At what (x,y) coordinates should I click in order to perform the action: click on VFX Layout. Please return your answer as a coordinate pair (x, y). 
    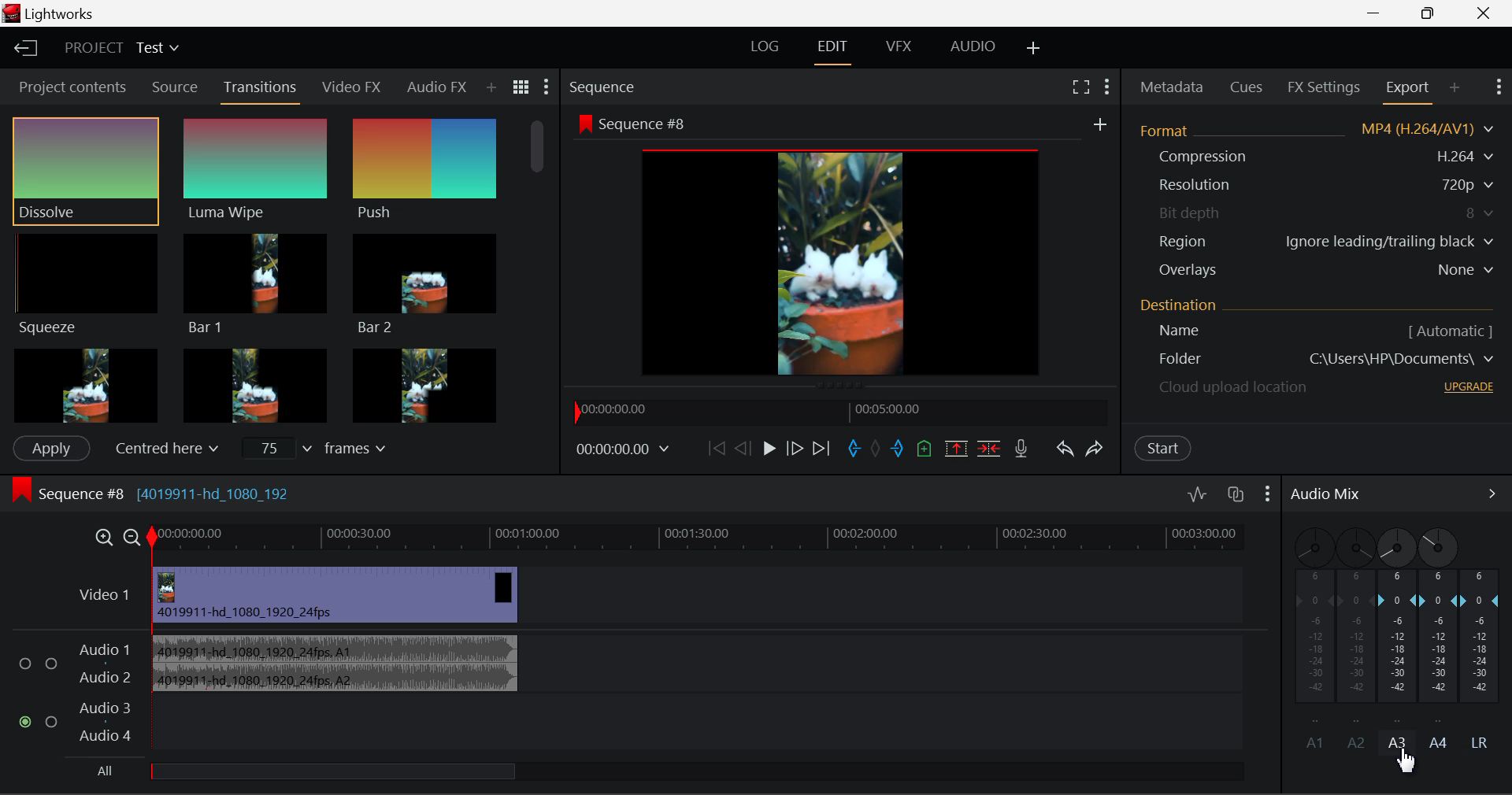
    Looking at the image, I should click on (901, 45).